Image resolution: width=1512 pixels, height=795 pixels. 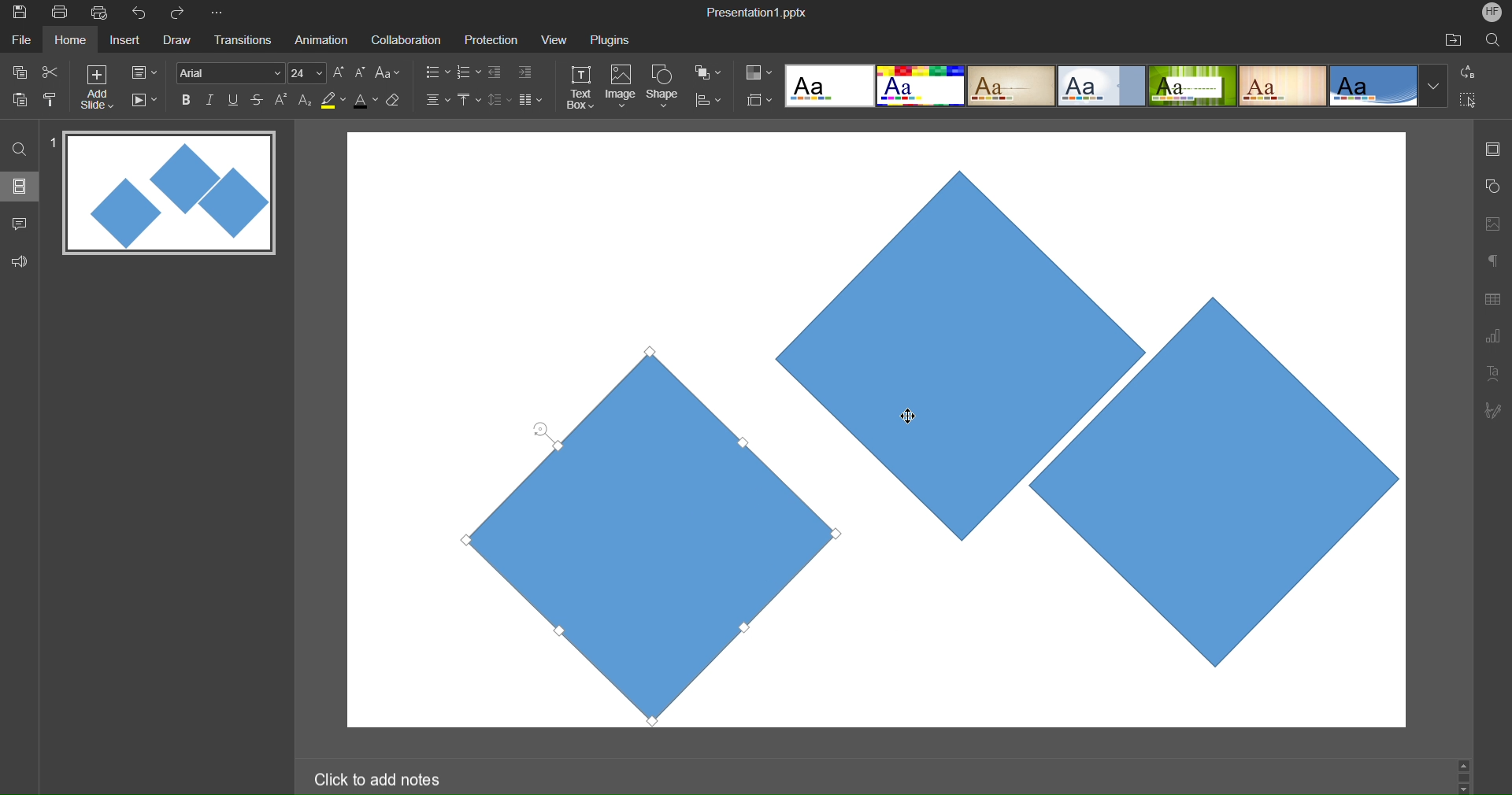 I want to click on support, so click(x=24, y=260).